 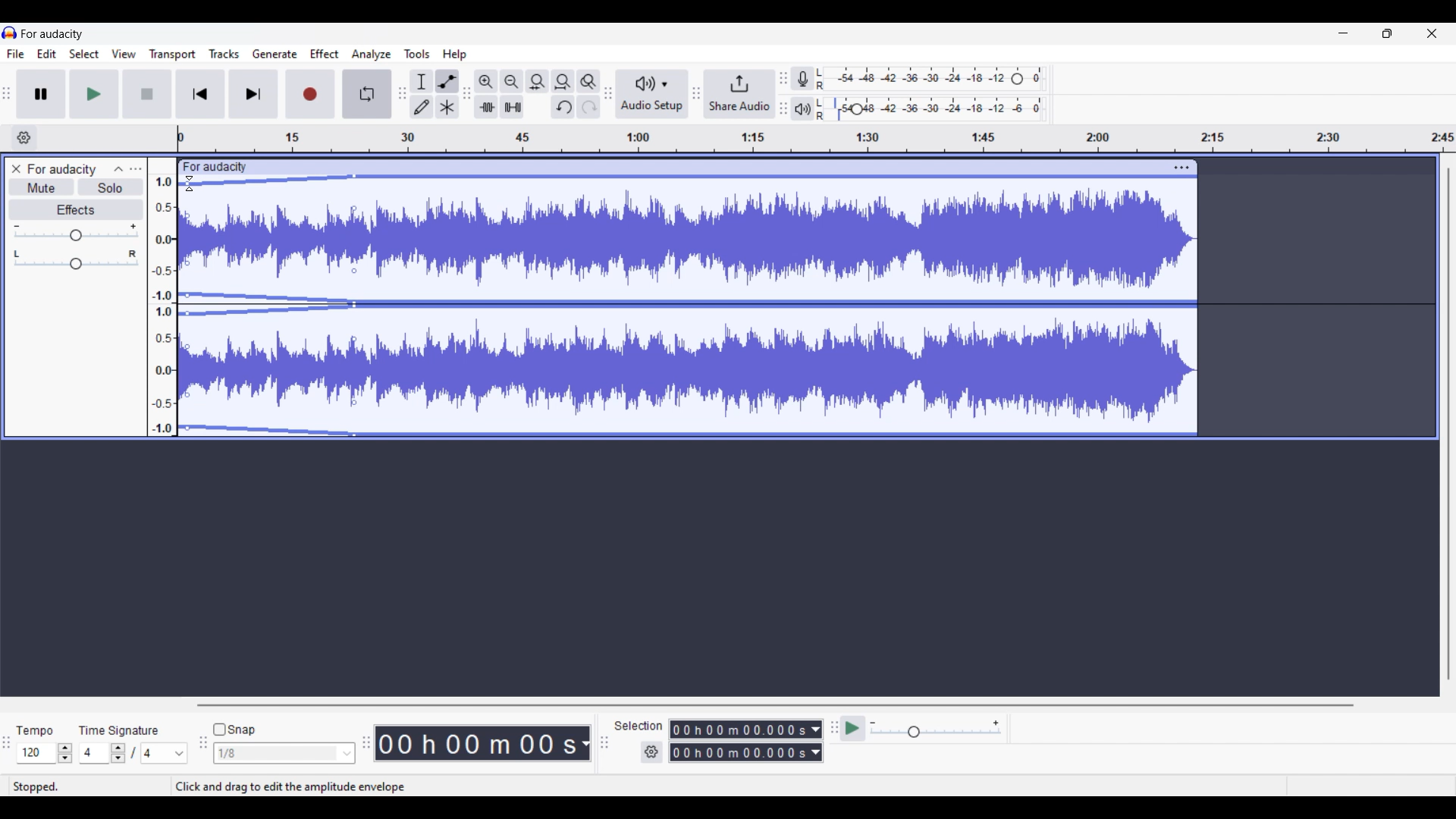 I want to click on Playback speed settings, so click(x=936, y=728).